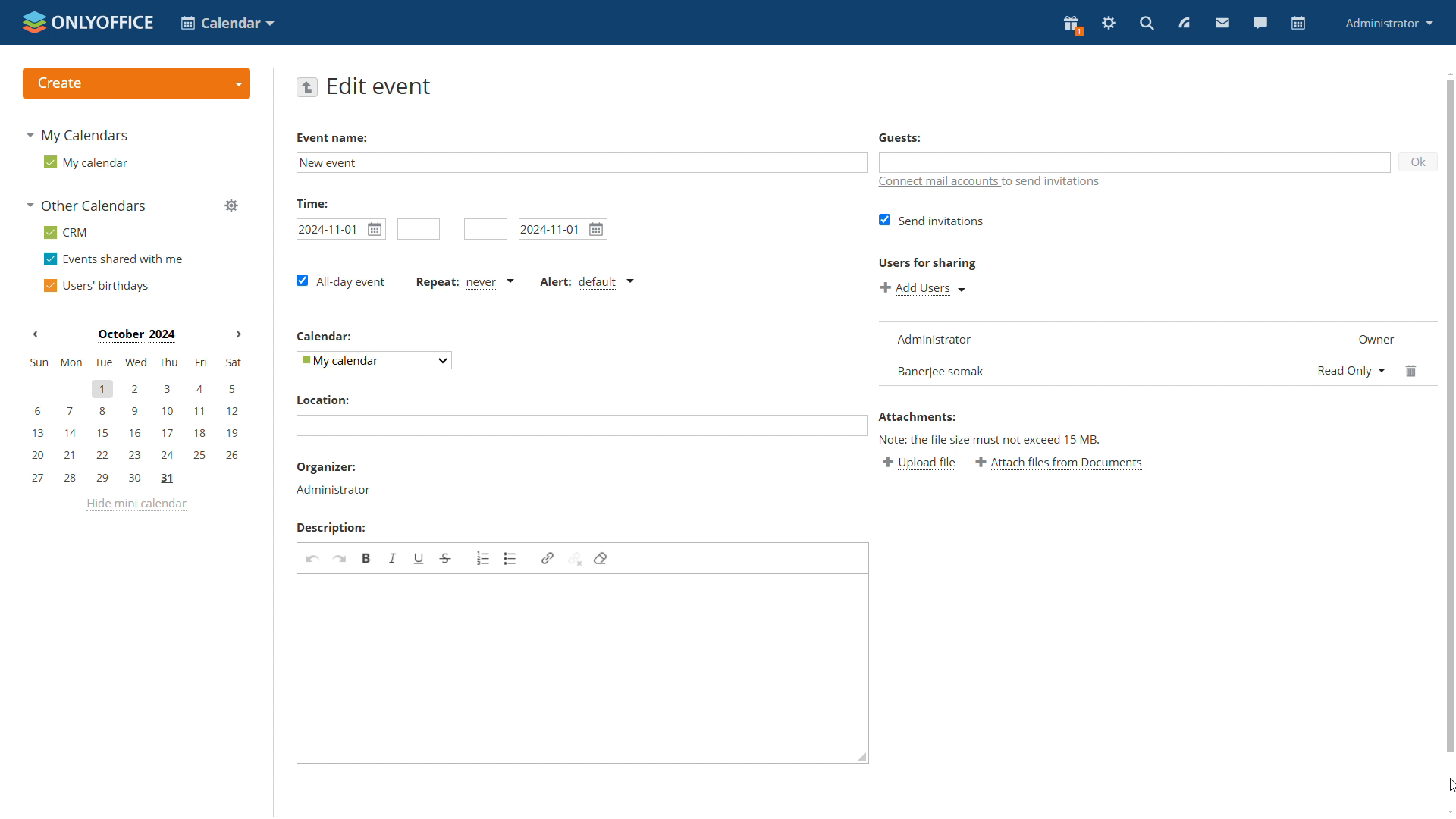  What do you see at coordinates (931, 221) in the screenshot?
I see `send invitations` at bounding box center [931, 221].